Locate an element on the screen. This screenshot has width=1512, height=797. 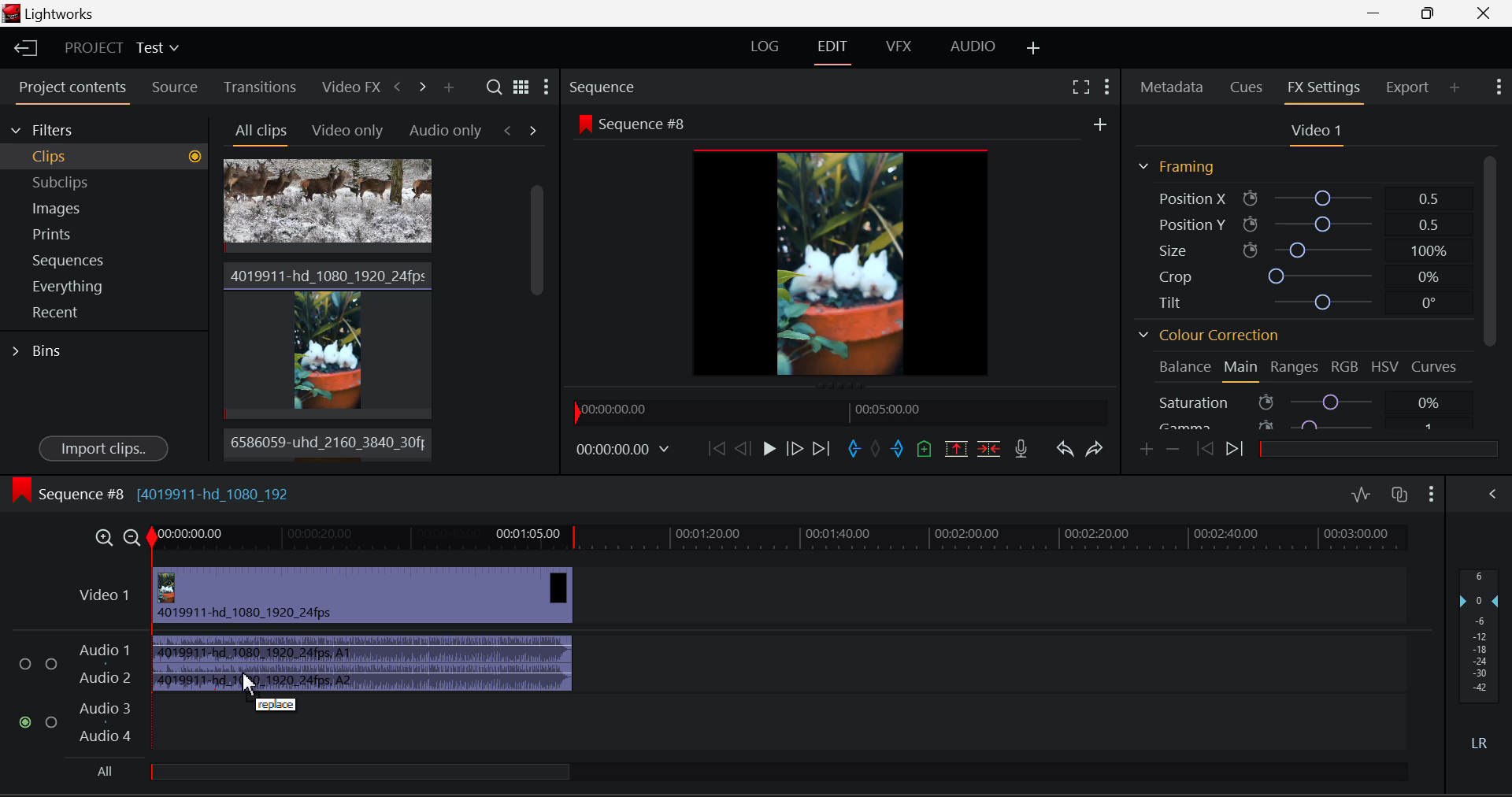
File 2 is located at coordinates (328, 338).